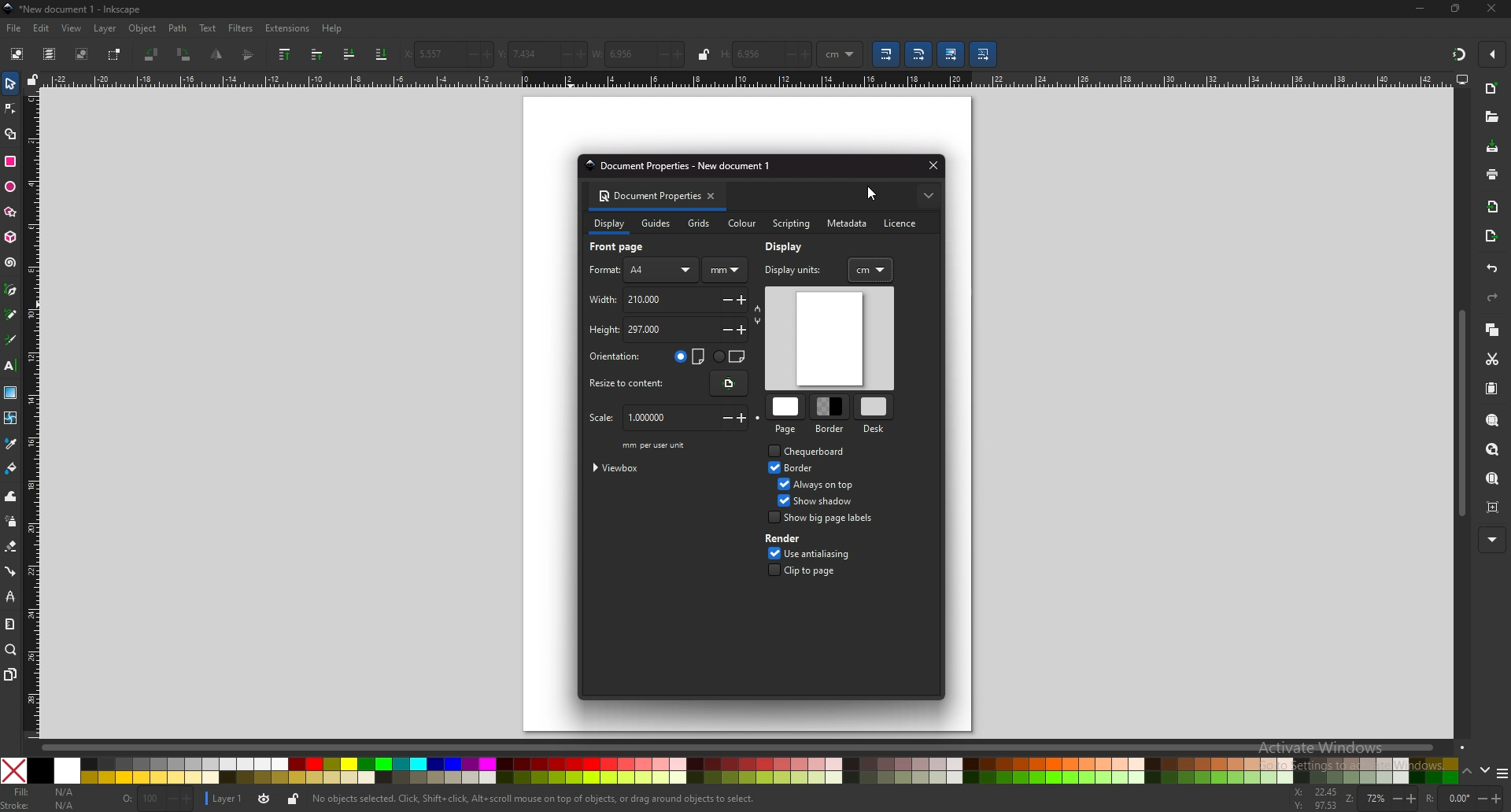 This screenshot has height=812, width=1511. I want to click on cm, so click(870, 270).